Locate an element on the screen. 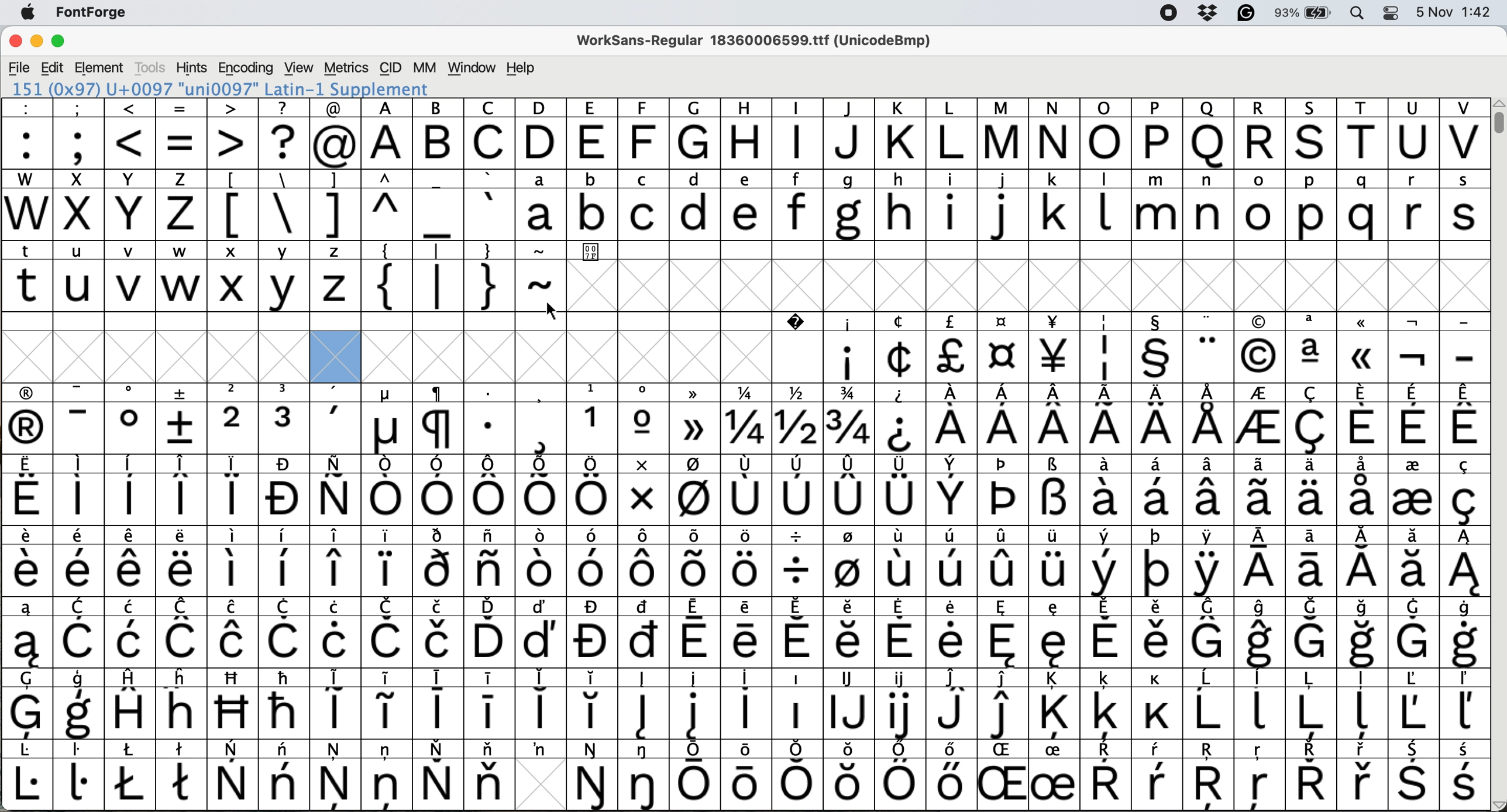   is located at coordinates (1313, 133).